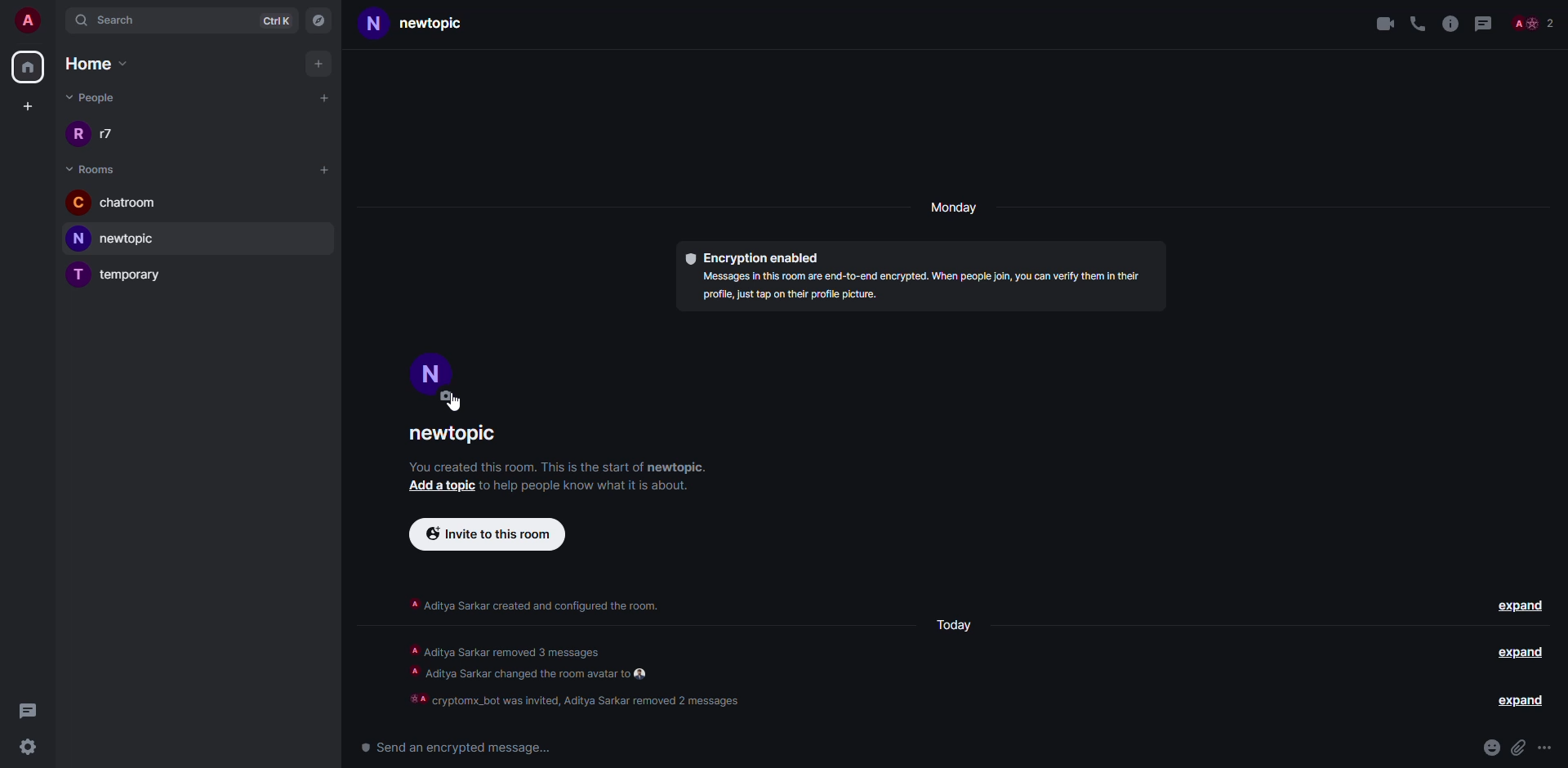 The width and height of the screenshot is (1568, 768). What do you see at coordinates (1380, 22) in the screenshot?
I see `video call` at bounding box center [1380, 22].